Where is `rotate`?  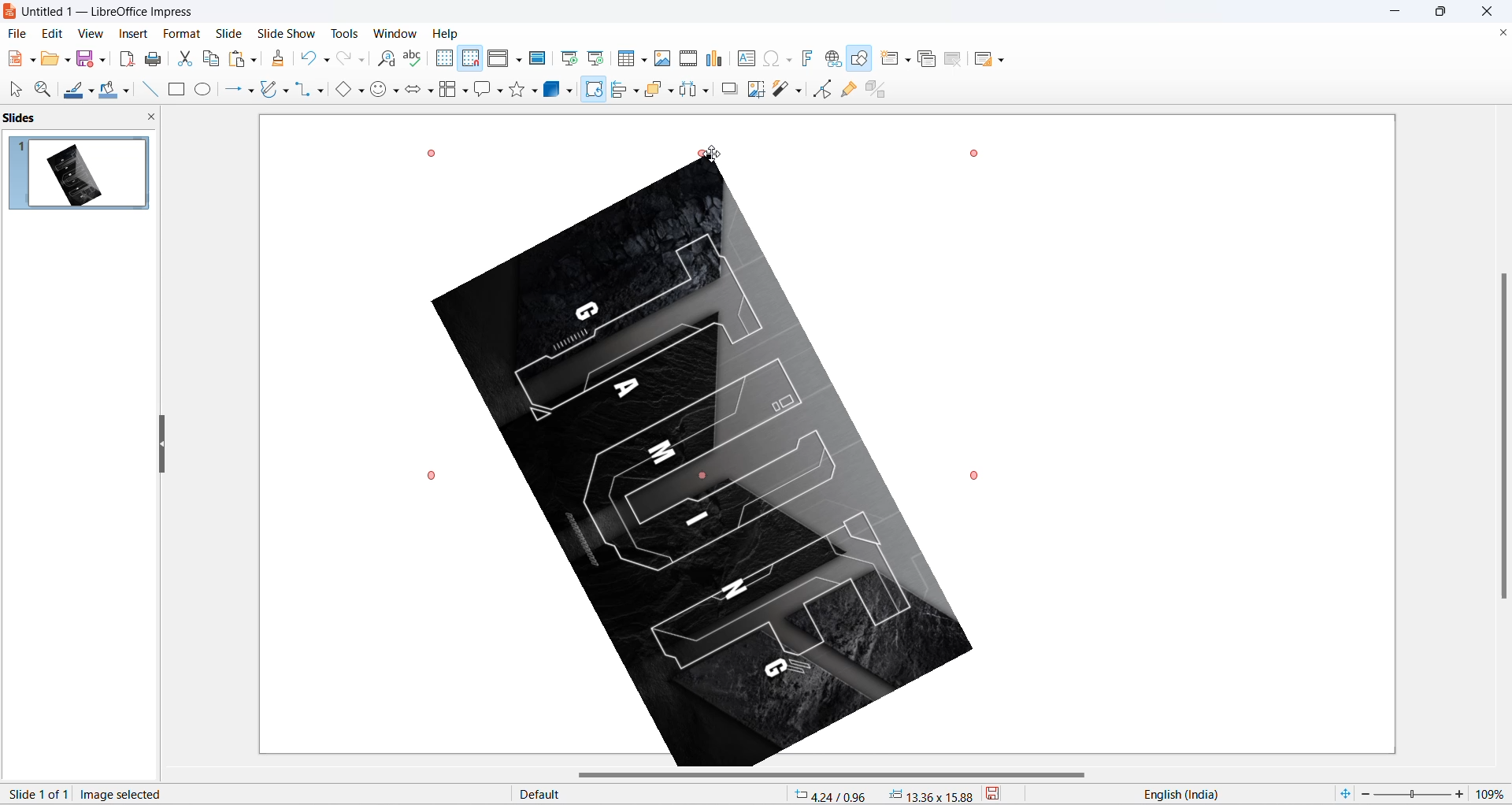 rotate is located at coordinates (592, 95).